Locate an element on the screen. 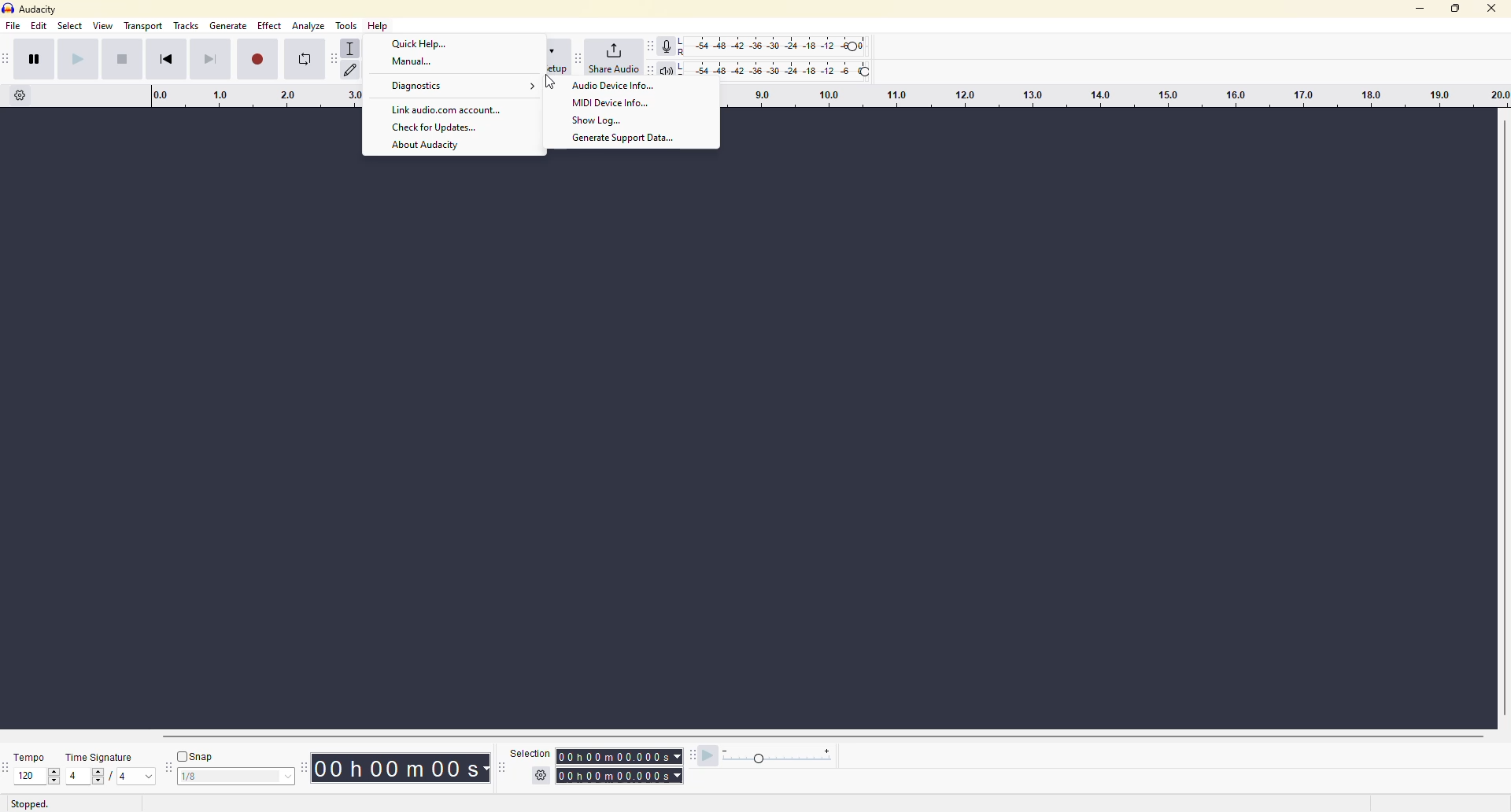  skip to end is located at coordinates (210, 58).